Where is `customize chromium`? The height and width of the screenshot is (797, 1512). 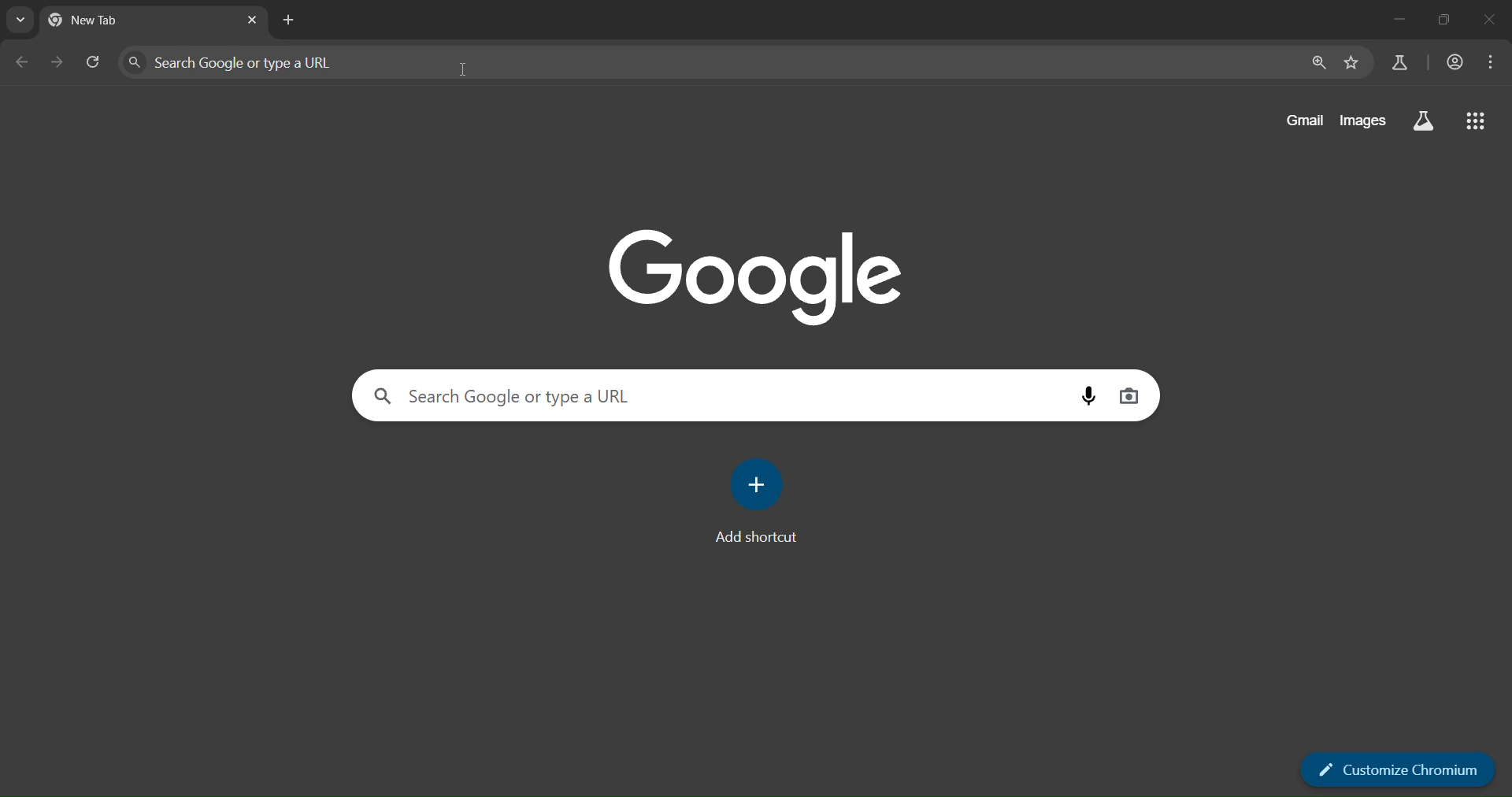
customize chromium is located at coordinates (1400, 769).